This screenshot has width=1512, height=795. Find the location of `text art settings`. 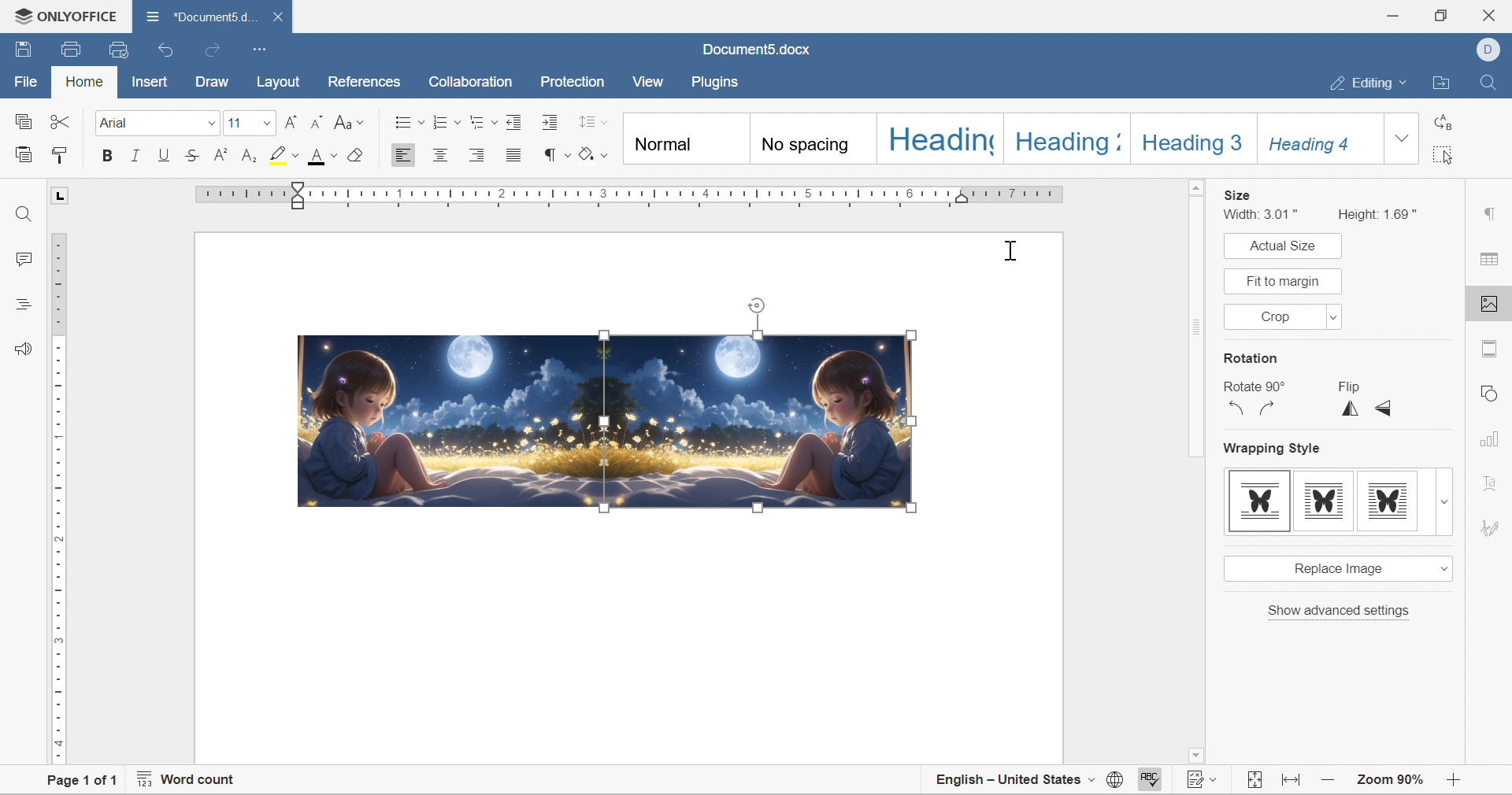

text art settings is located at coordinates (1492, 478).